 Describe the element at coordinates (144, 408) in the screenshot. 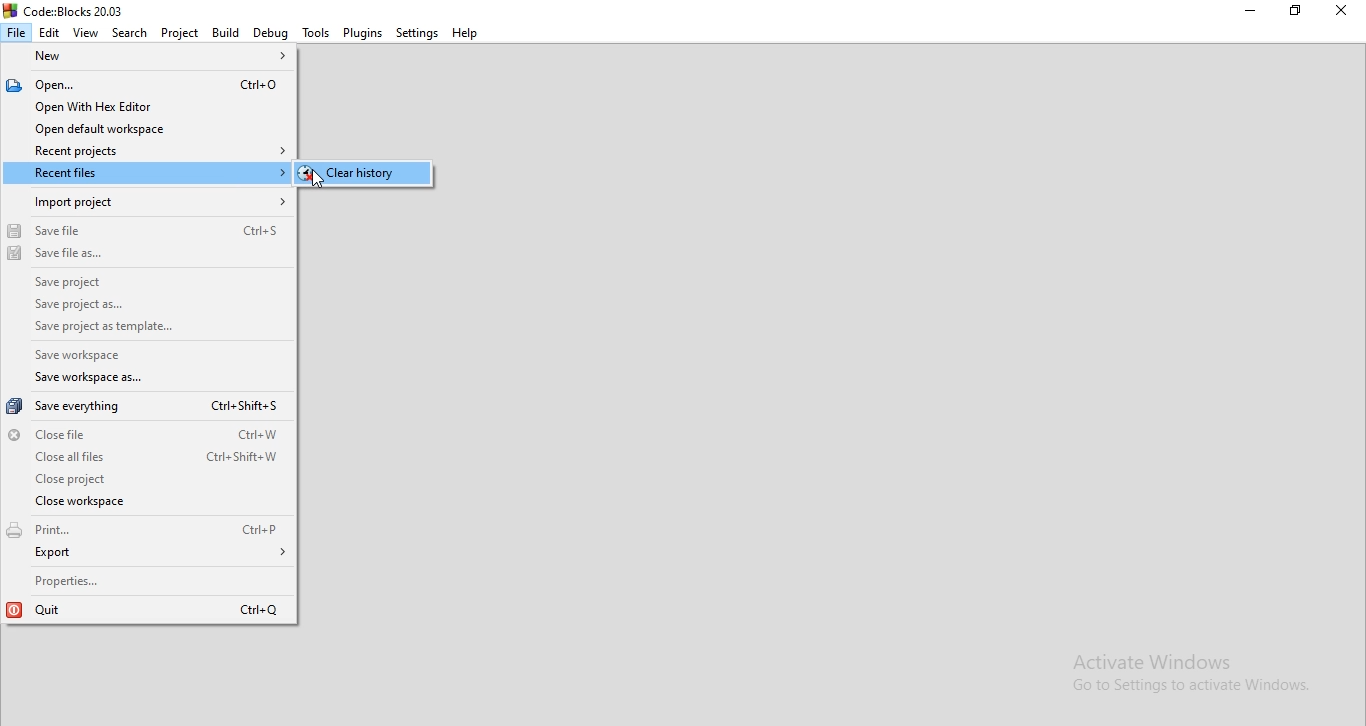

I see `Save everything` at that location.